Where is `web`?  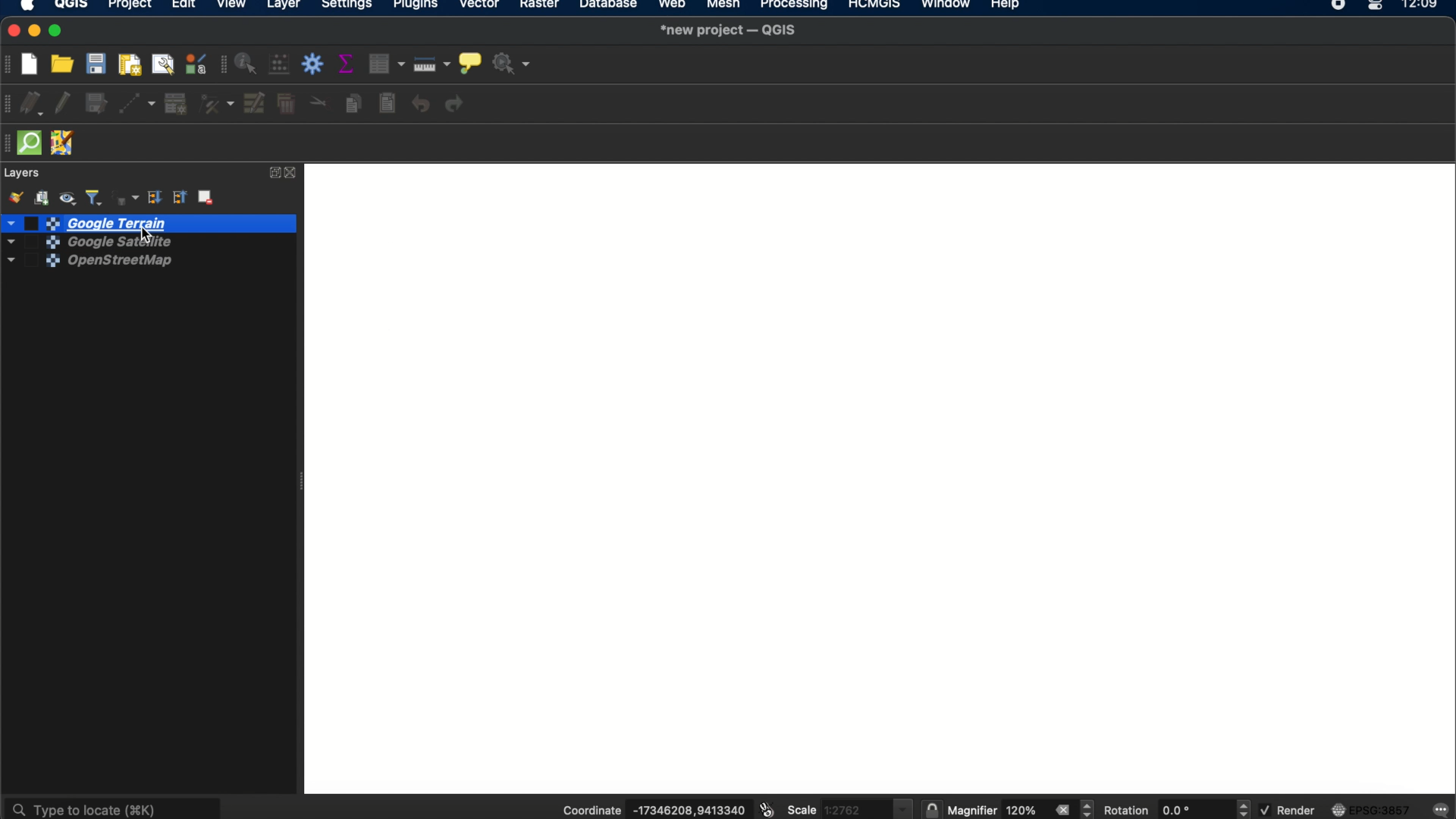 web is located at coordinates (673, 6).